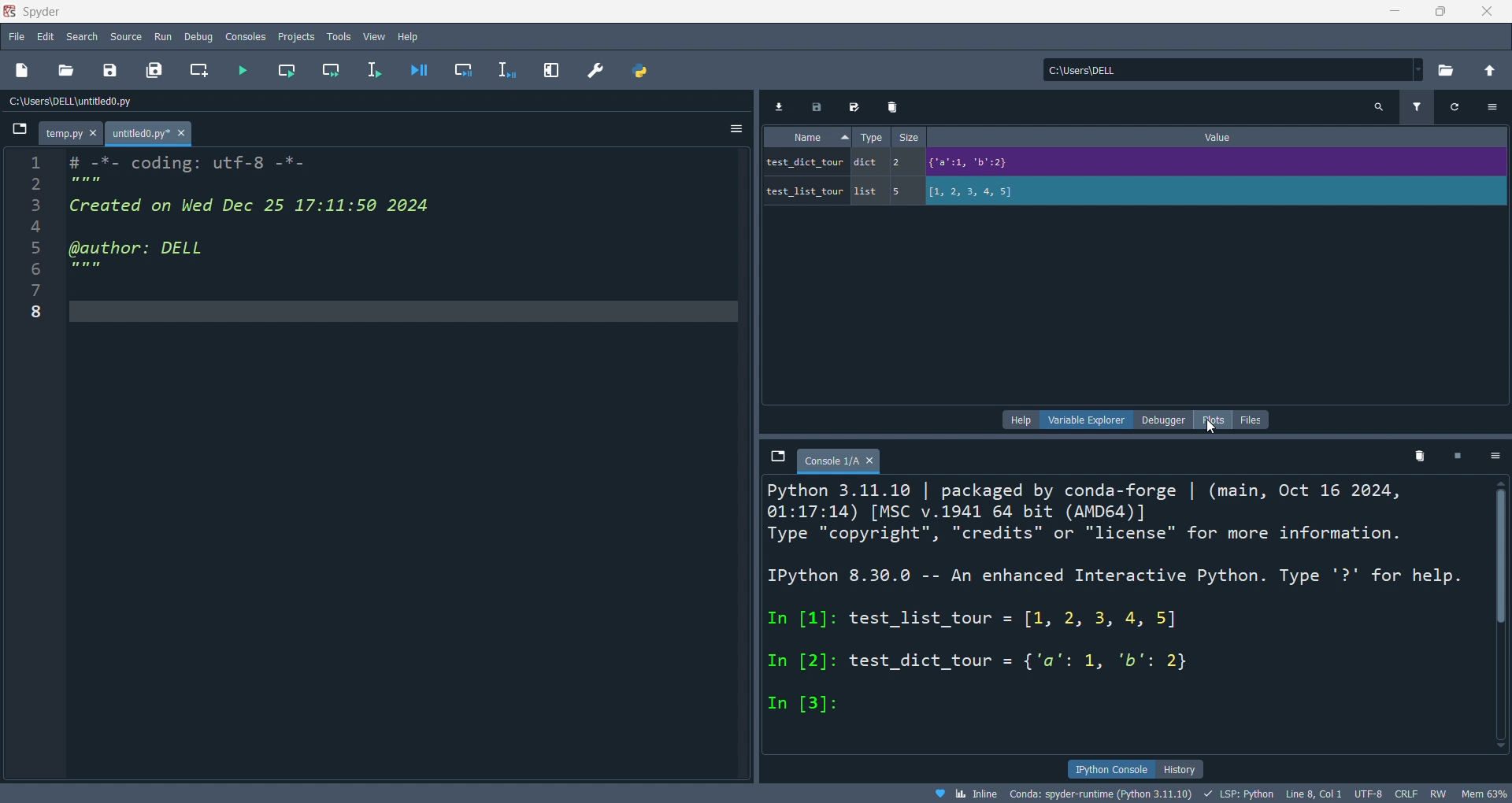 This screenshot has width=1512, height=803. I want to click on save, so click(111, 69).